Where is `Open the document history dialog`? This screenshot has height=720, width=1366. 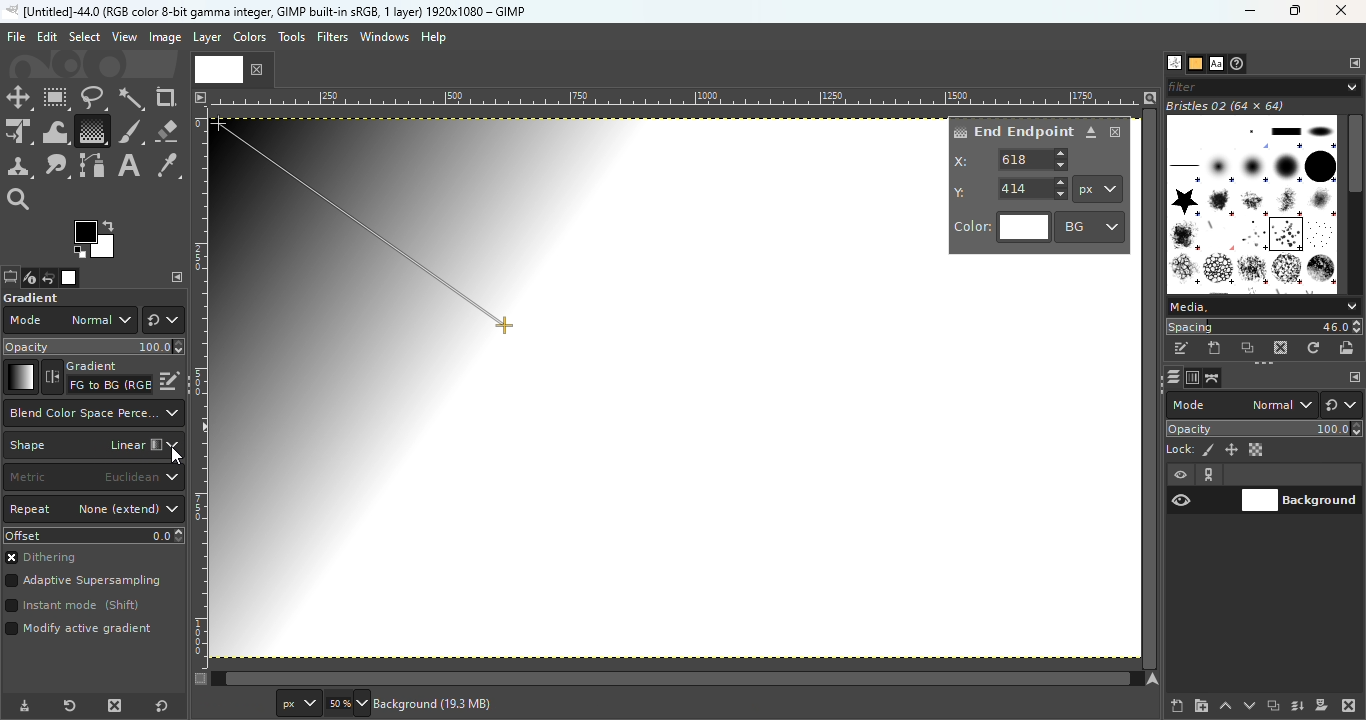 Open the document history dialog is located at coordinates (1239, 64).